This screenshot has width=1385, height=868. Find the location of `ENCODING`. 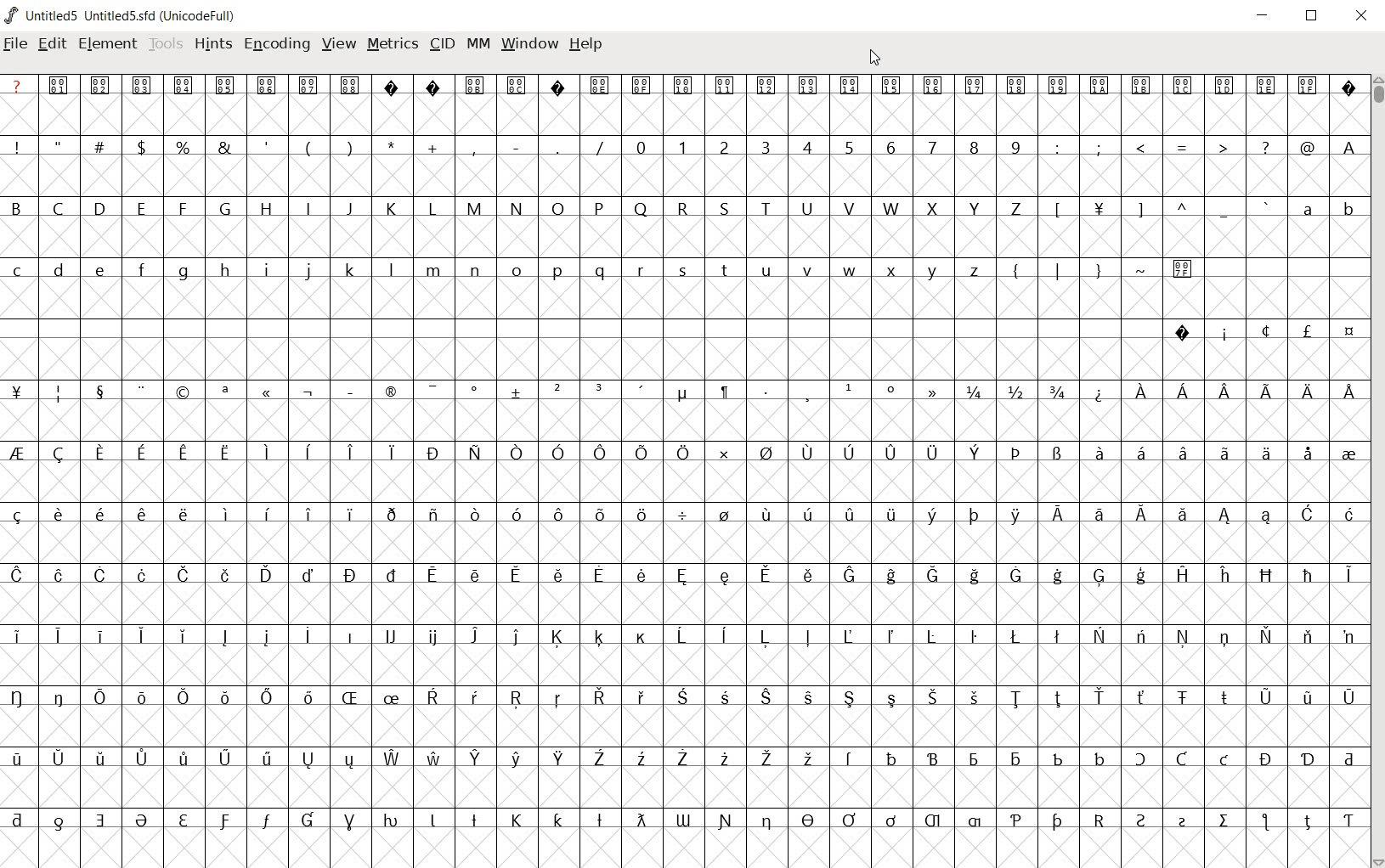

ENCODING is located at coordinates (275, 45).